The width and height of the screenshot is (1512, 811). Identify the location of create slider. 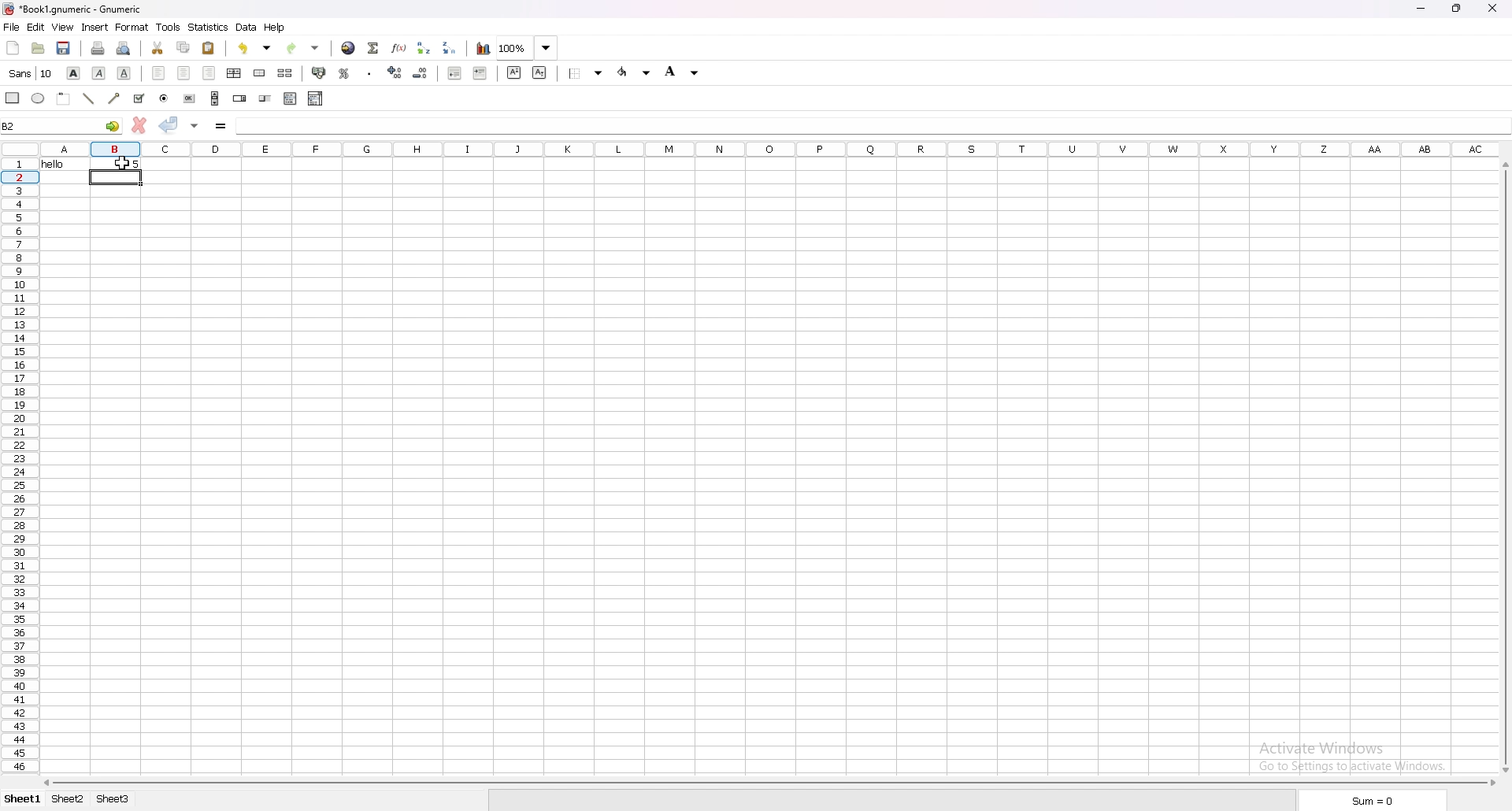
(267, 98).